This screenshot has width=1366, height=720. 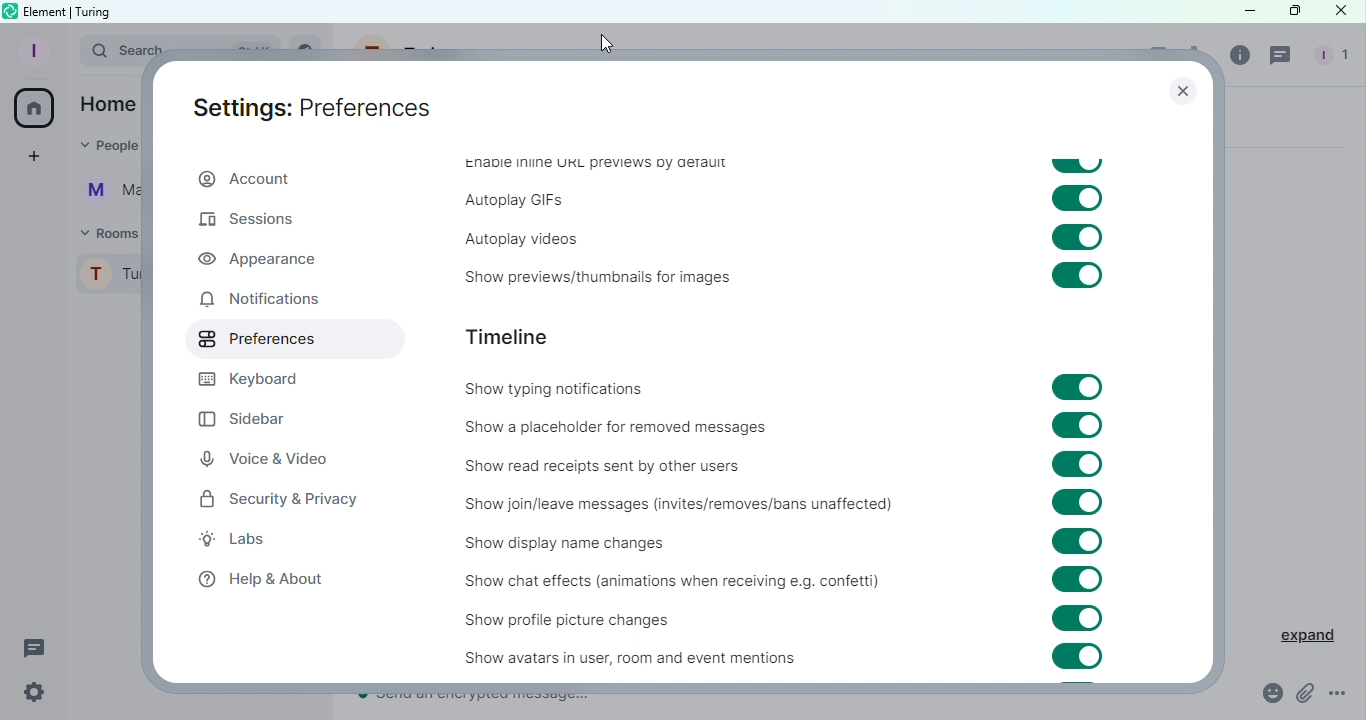 What do you see at coordinates (31, 50) in the screenshot?
I see `Profile` at bounding box center [31, 50].